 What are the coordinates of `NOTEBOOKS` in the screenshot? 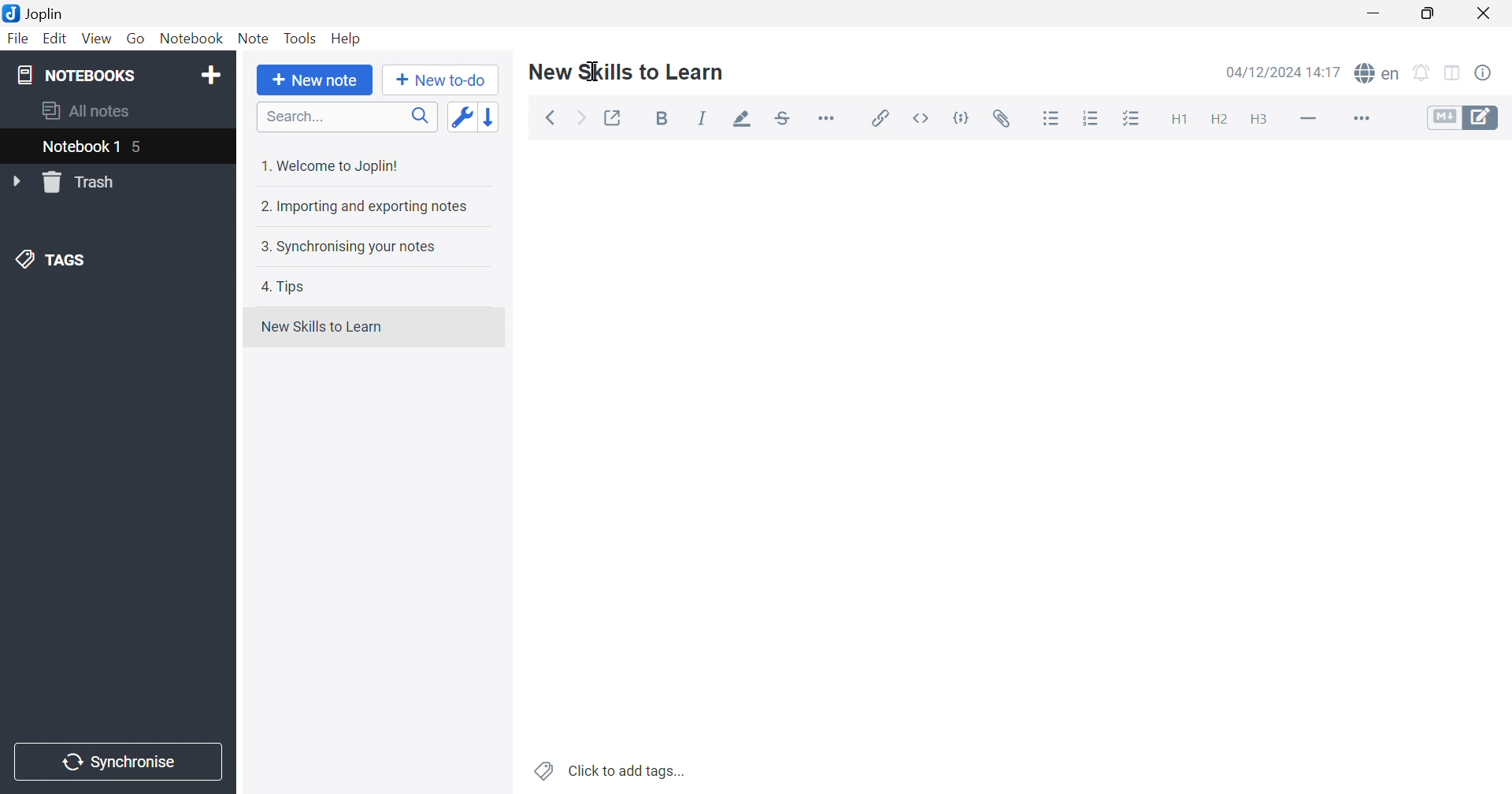 It's located at (75, 74).